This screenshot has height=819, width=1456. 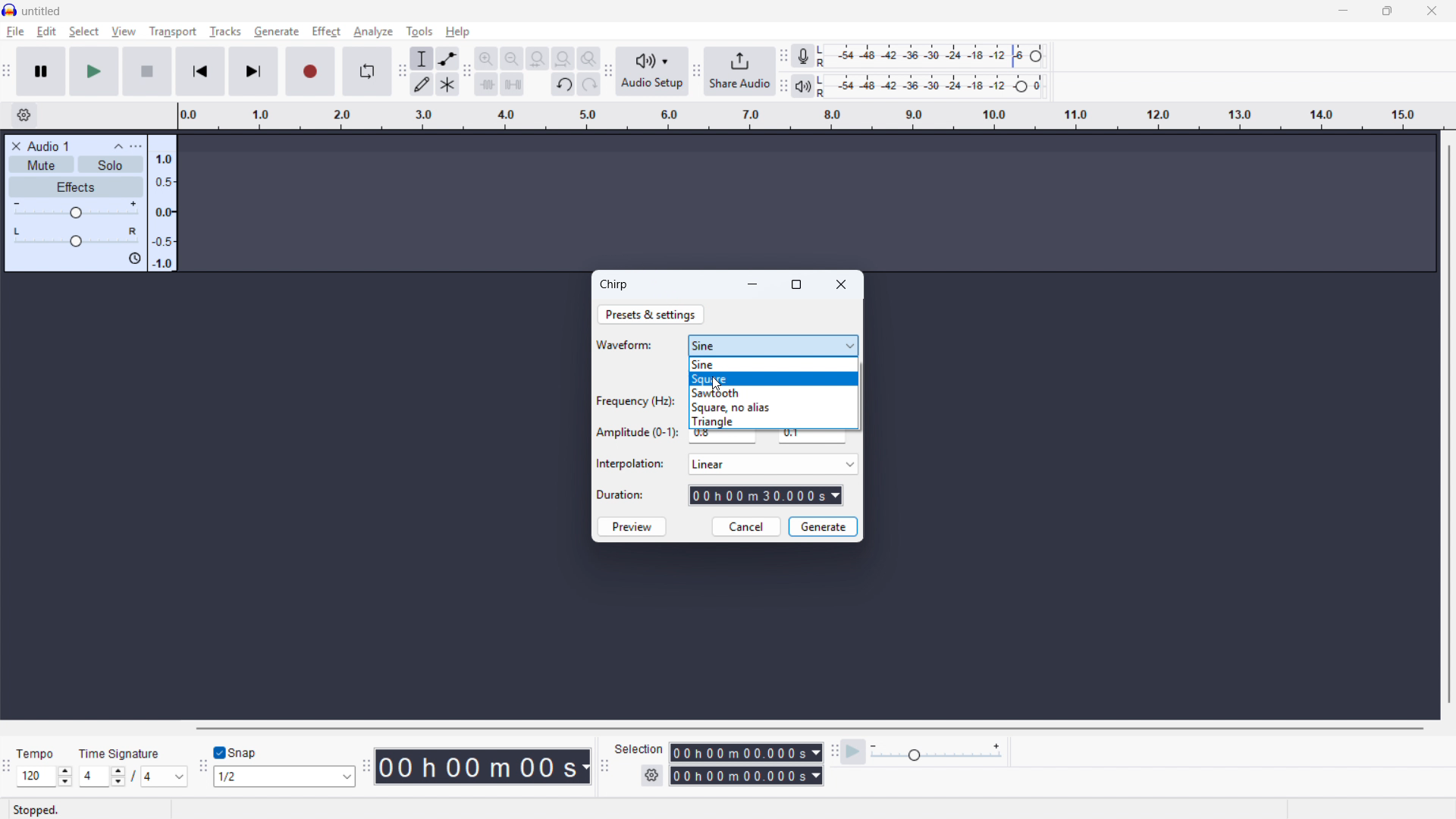 What do you see at coordinates (632, 526) in the screenshot?
I see `Preview ` at bounding box center [632, 526].